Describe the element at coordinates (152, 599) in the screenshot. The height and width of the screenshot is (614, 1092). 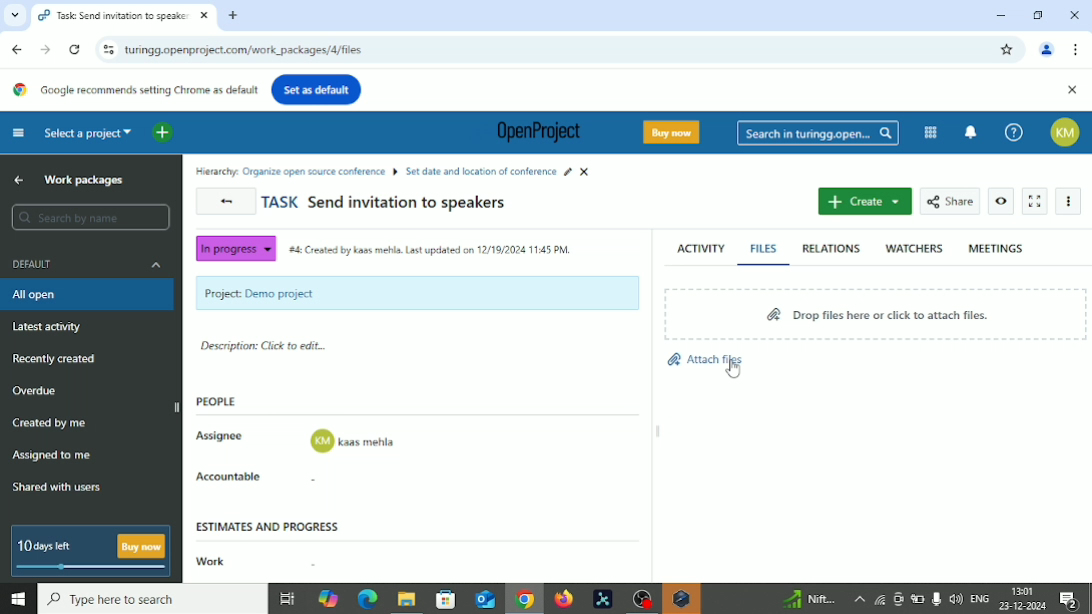
I see `Search` at that location.